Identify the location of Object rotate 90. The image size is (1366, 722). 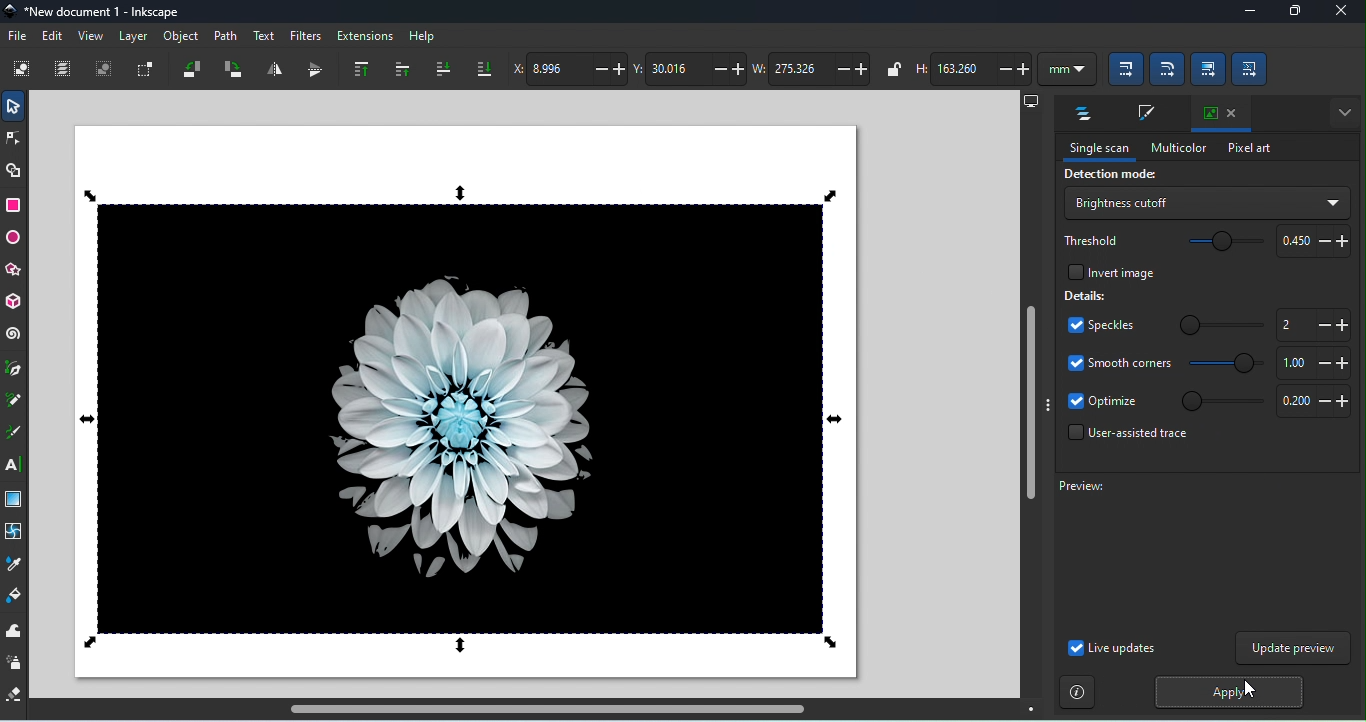
(233, 70).